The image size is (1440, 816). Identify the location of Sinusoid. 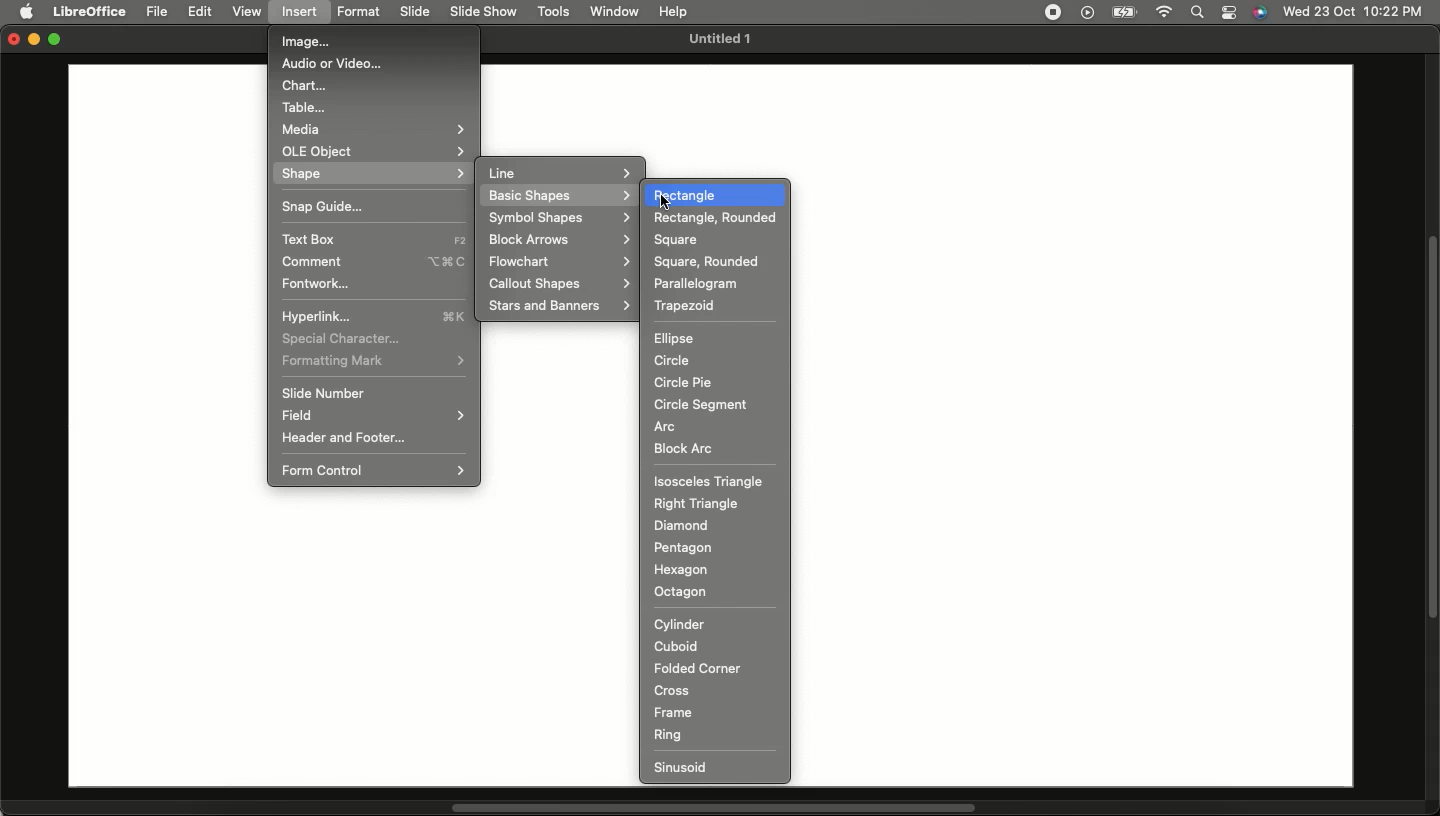
(683, 768).